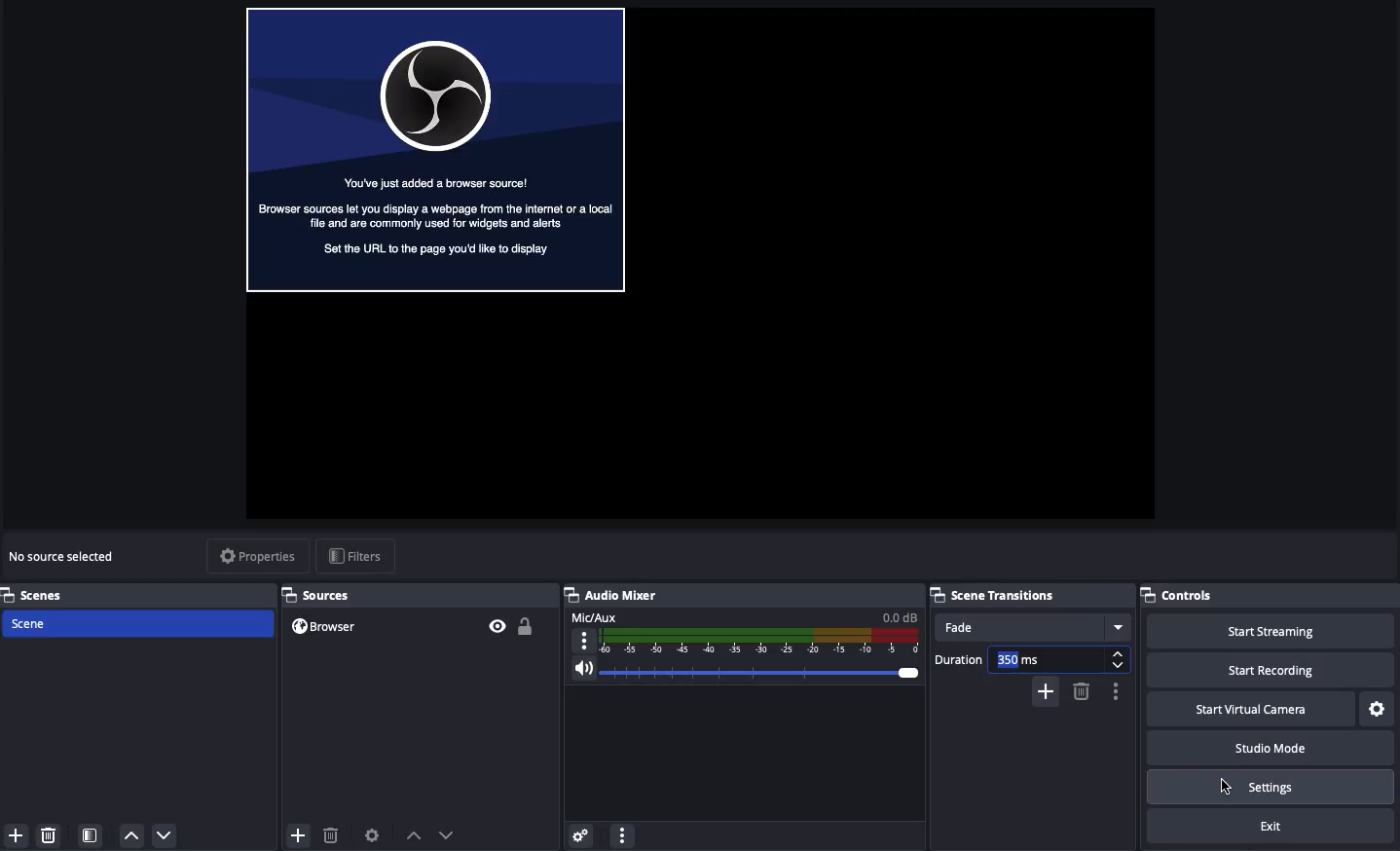  What do you see at coordinates (699, 263) in the screenshot?
I see `Screen` at bounding box center [699, 263].